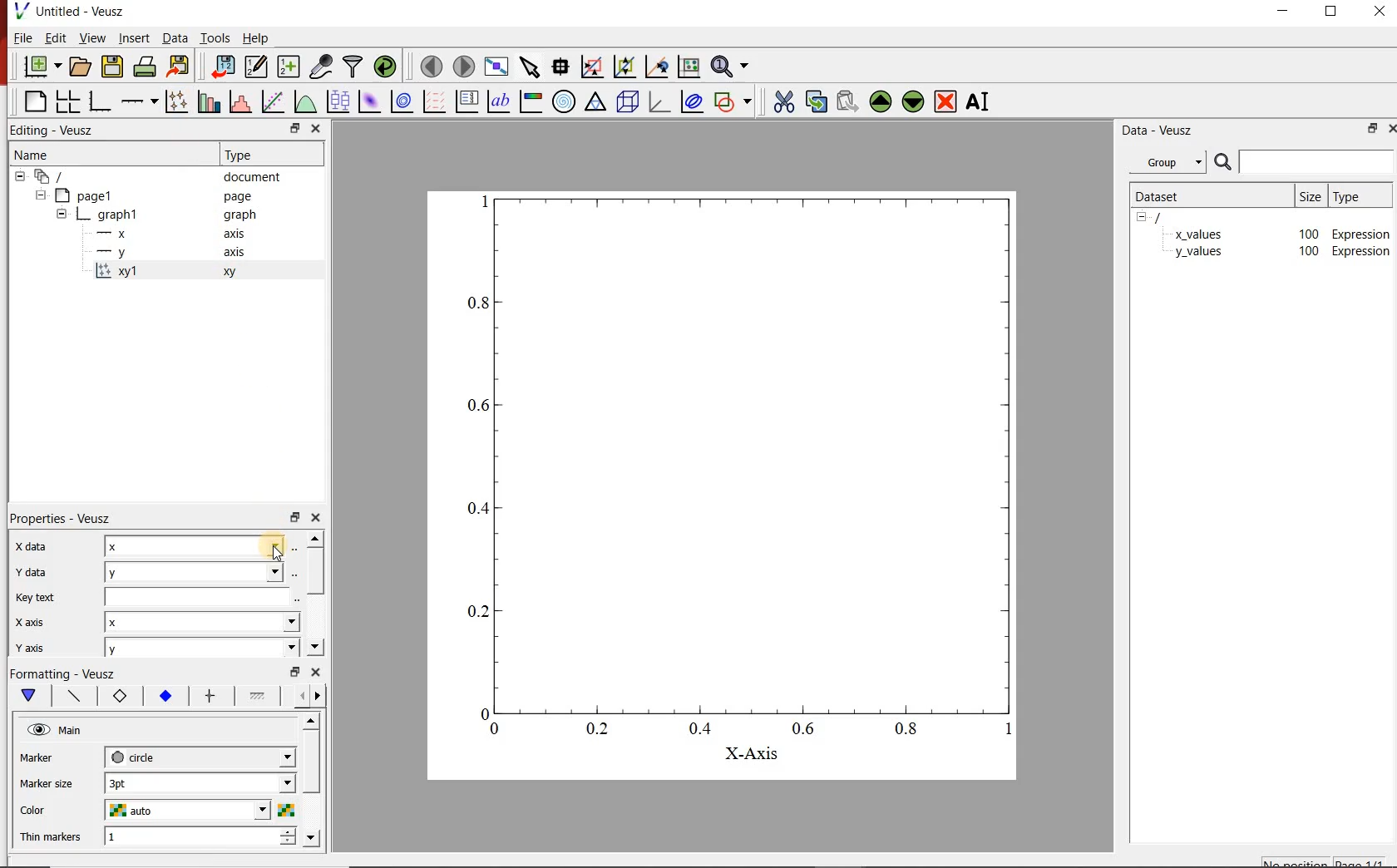 The height and width of the screenshot is (868, 1397). I want to click on name, so click(33, 156).